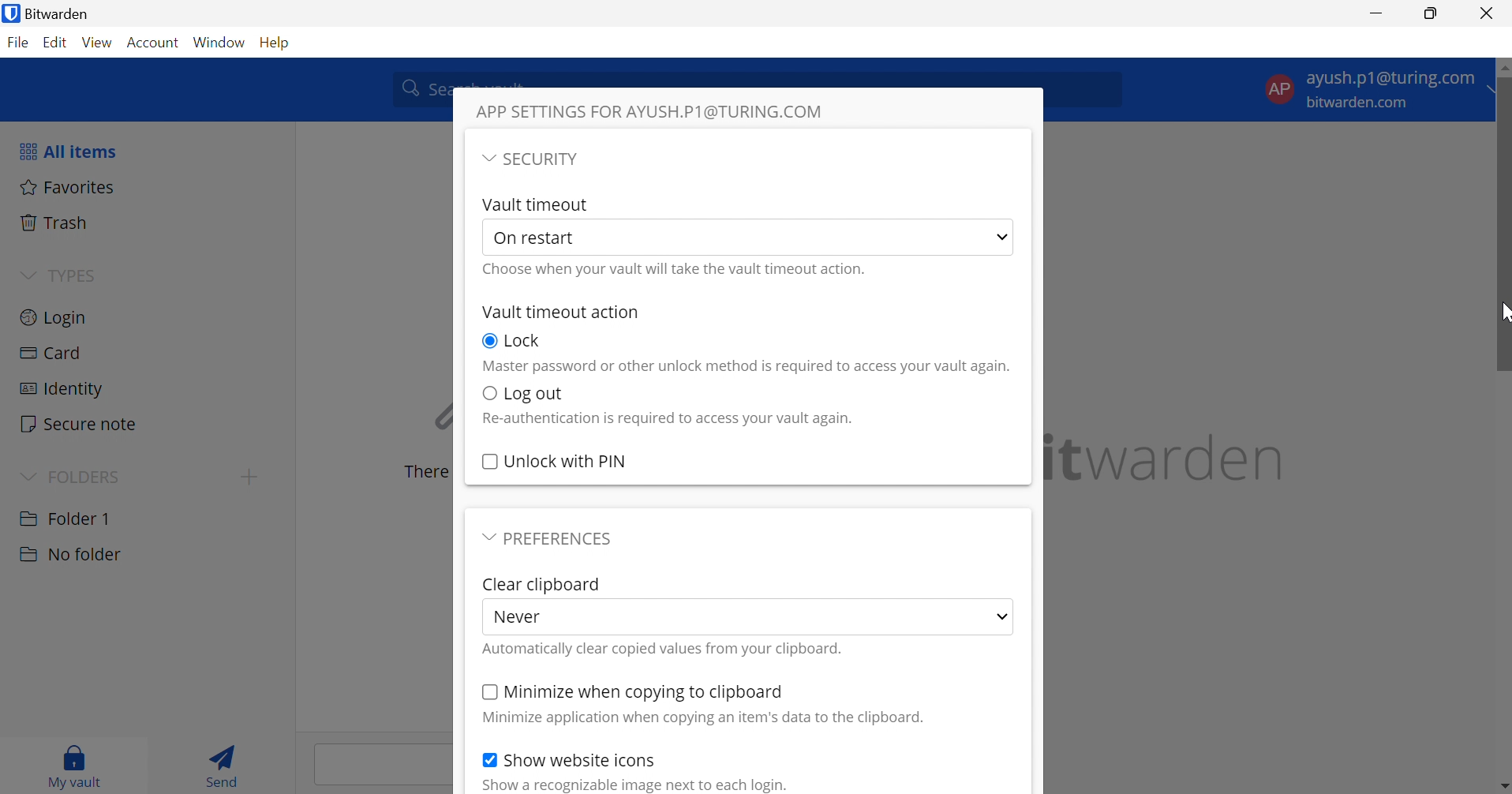 The width and height of the screenshot is (1512, 794). Describe the element at coordinates (487, 759) in the screenshot. I see `Checkbox` at that location.